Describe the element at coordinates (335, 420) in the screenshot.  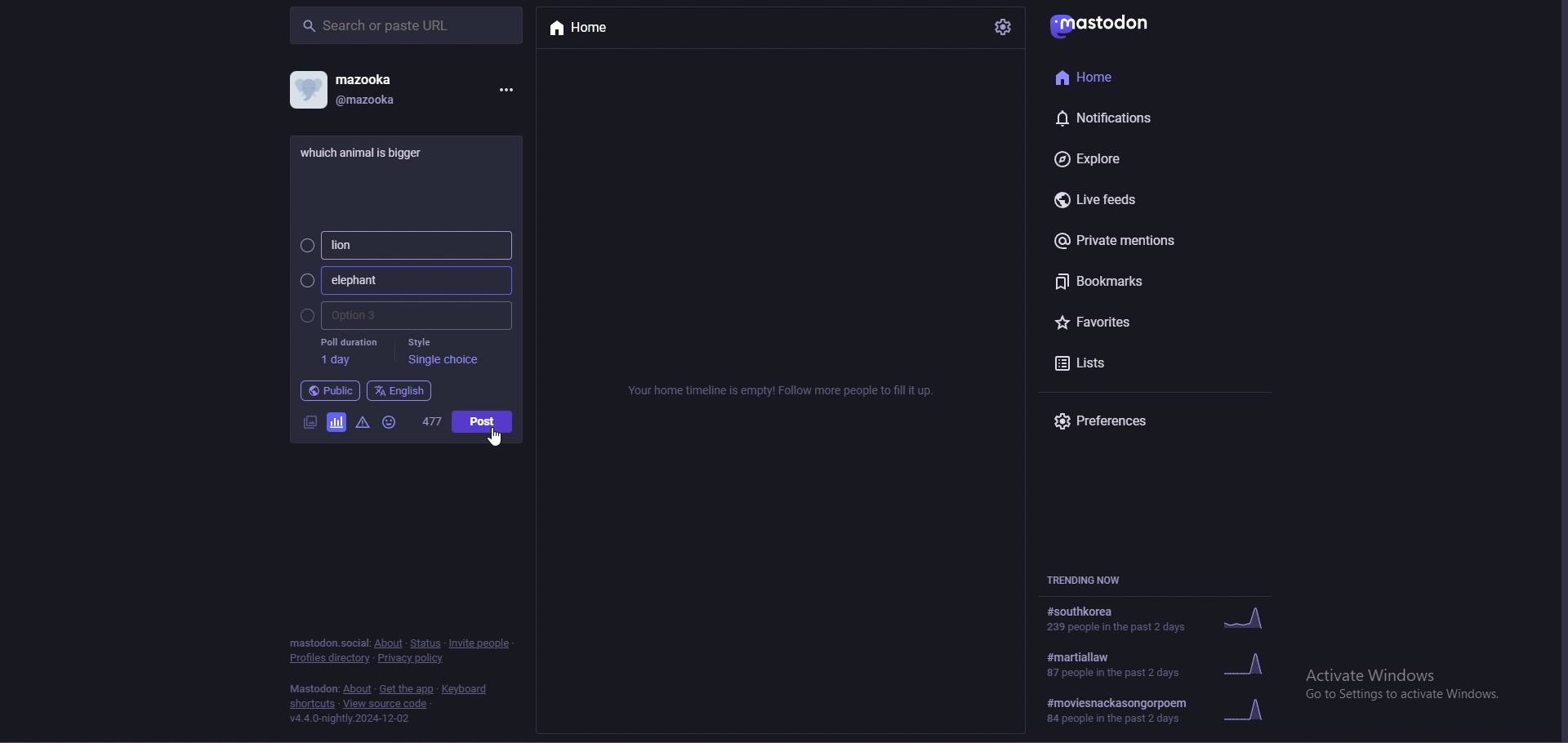
I see `polls` at that location.